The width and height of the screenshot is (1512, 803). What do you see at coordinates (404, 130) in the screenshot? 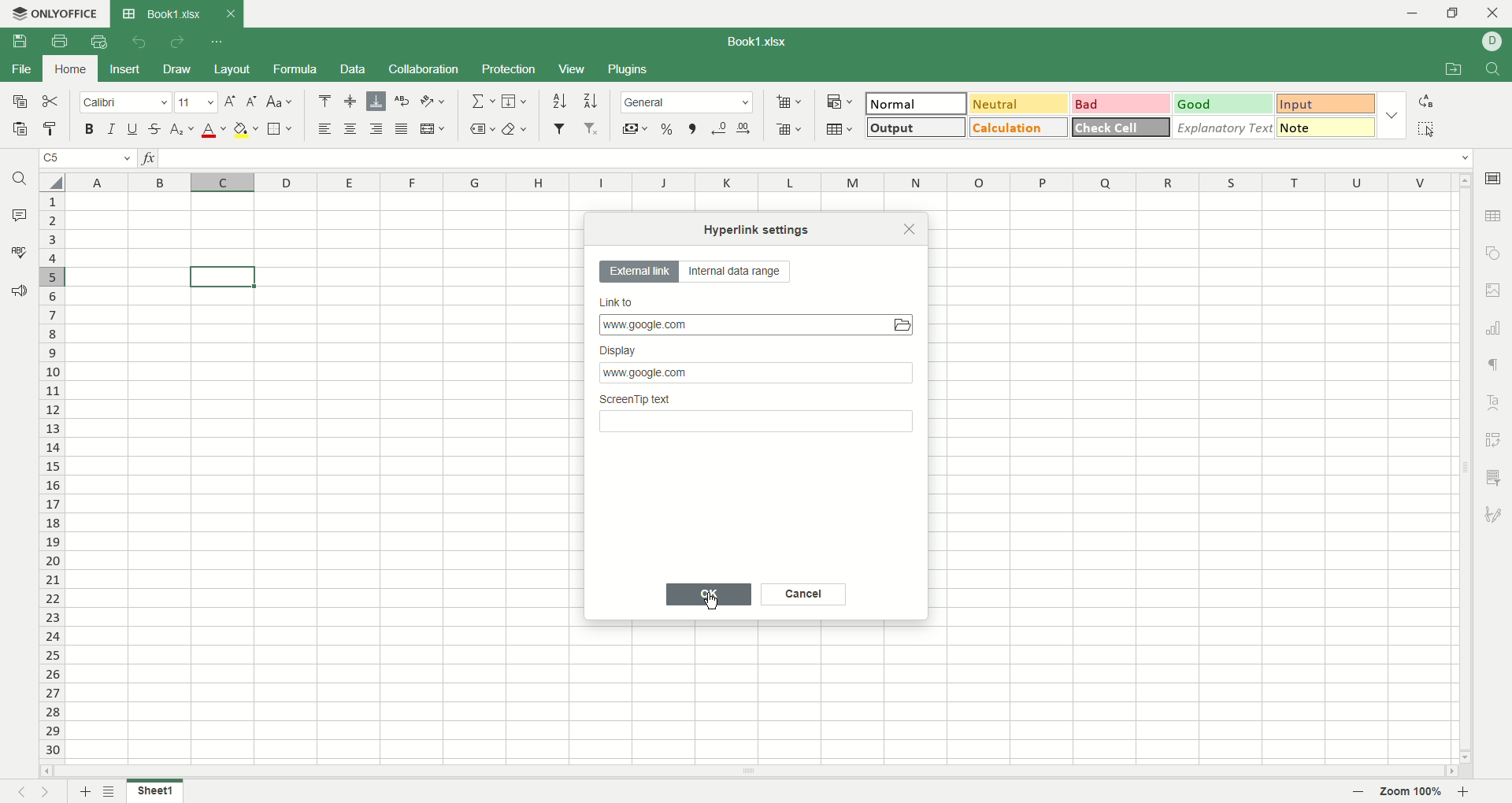
I see `justified` at bounding box center [404, 130].